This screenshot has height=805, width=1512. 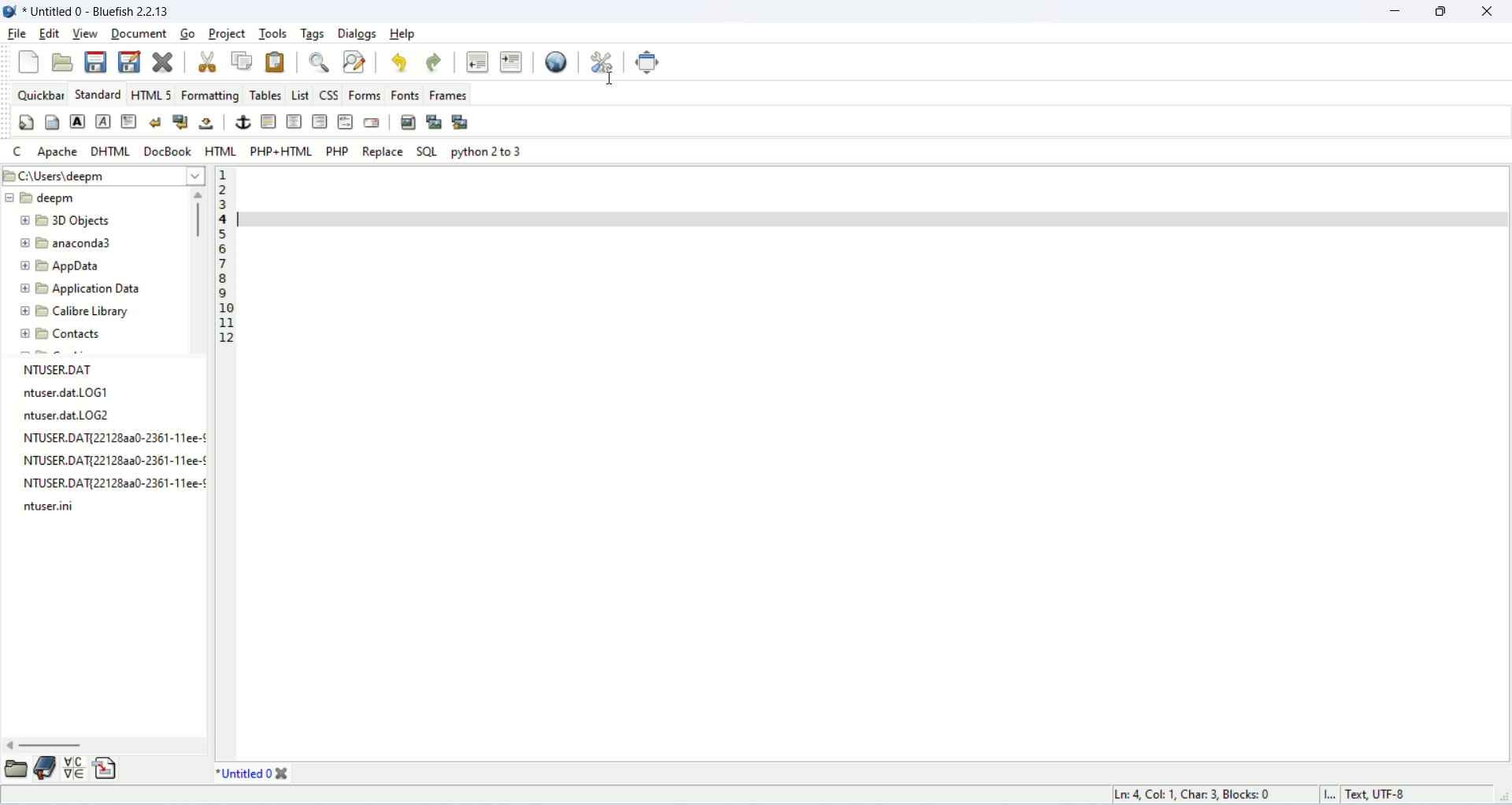 What do you see at coordinates (370, 121) in the screenshot?
I see `email` at bounding box center [370, 121].